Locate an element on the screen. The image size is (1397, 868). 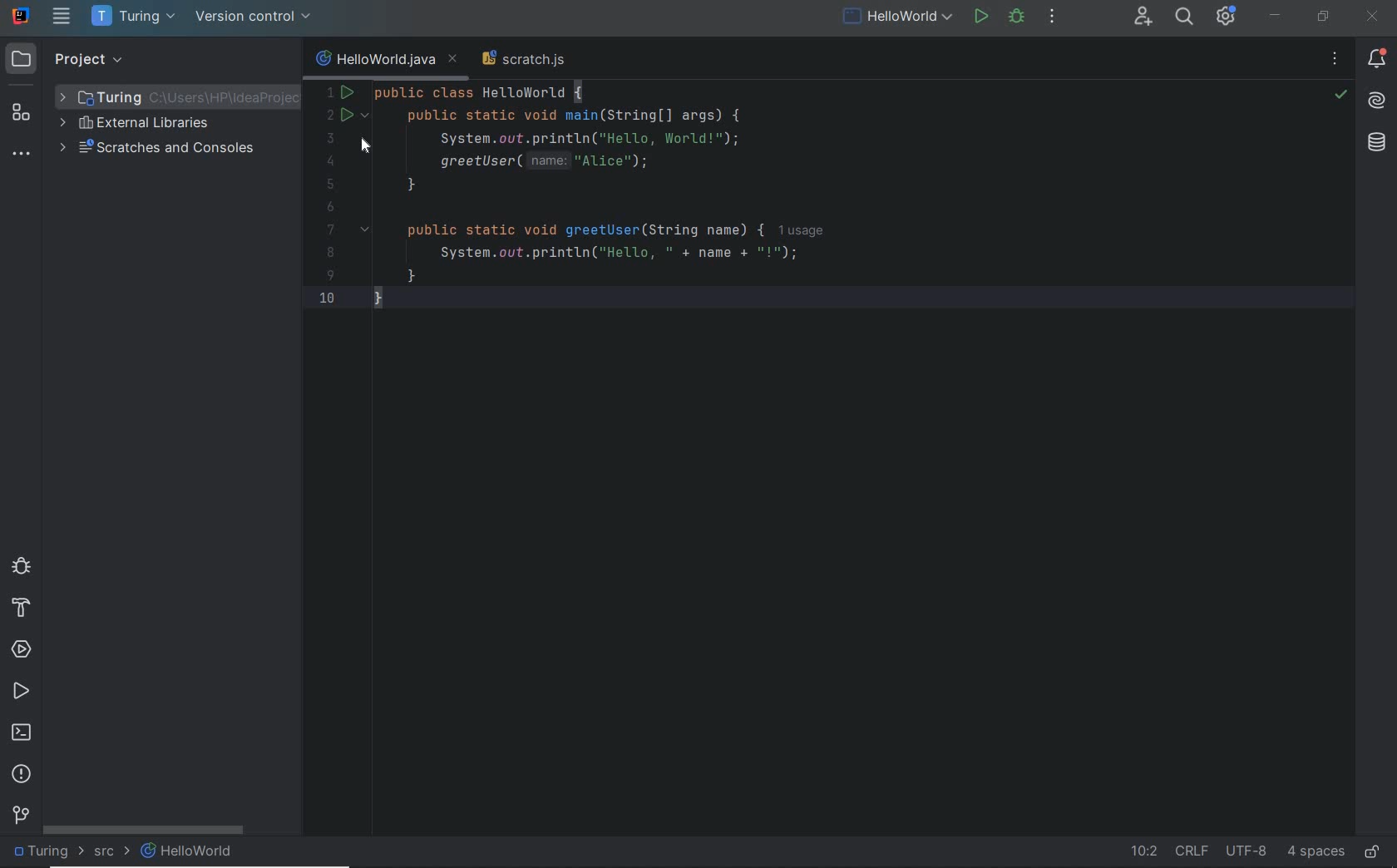
go to line is located at coordinates (1138, 851).